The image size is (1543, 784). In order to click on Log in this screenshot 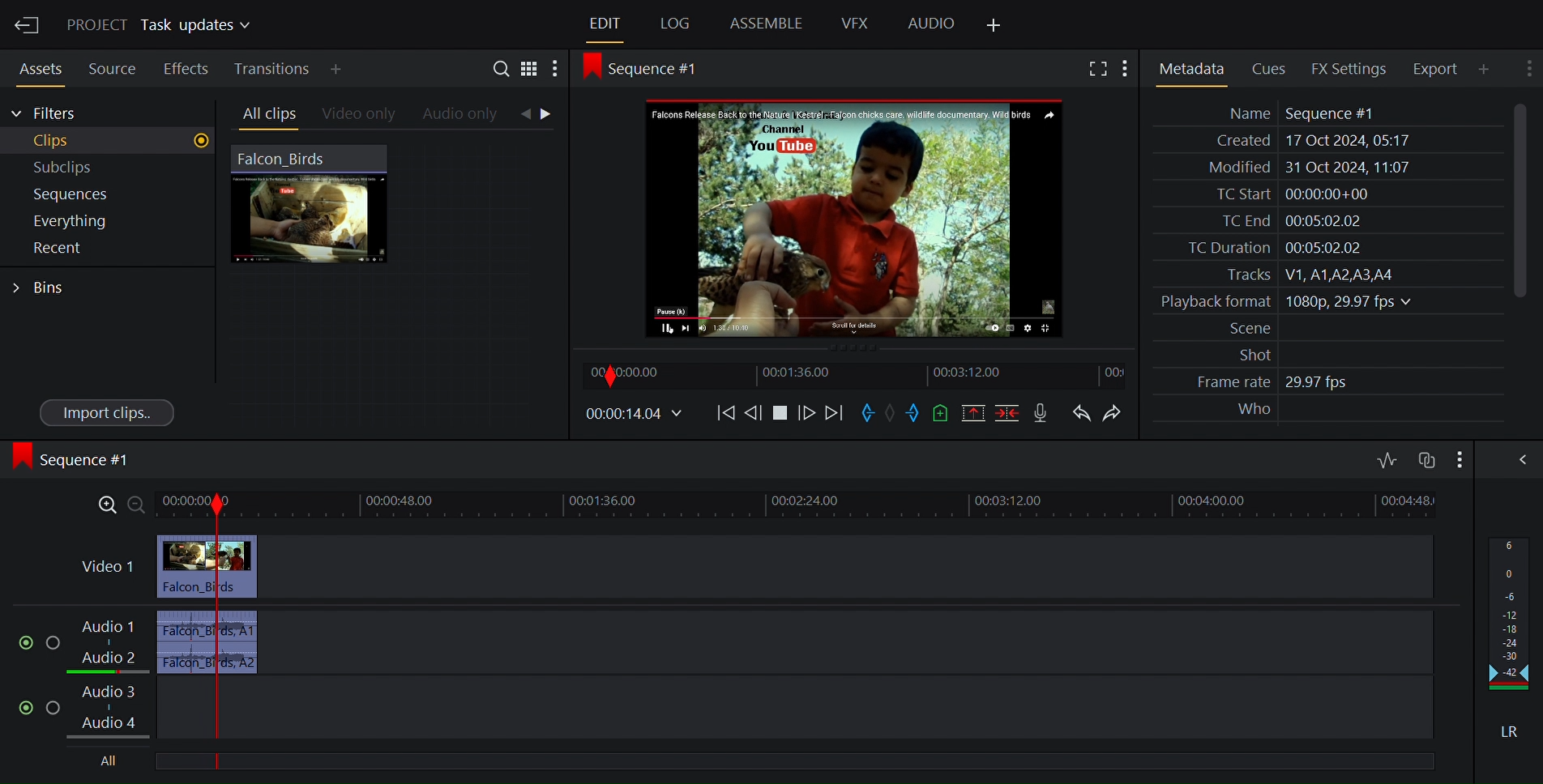, I will do `click(673, 24)`.